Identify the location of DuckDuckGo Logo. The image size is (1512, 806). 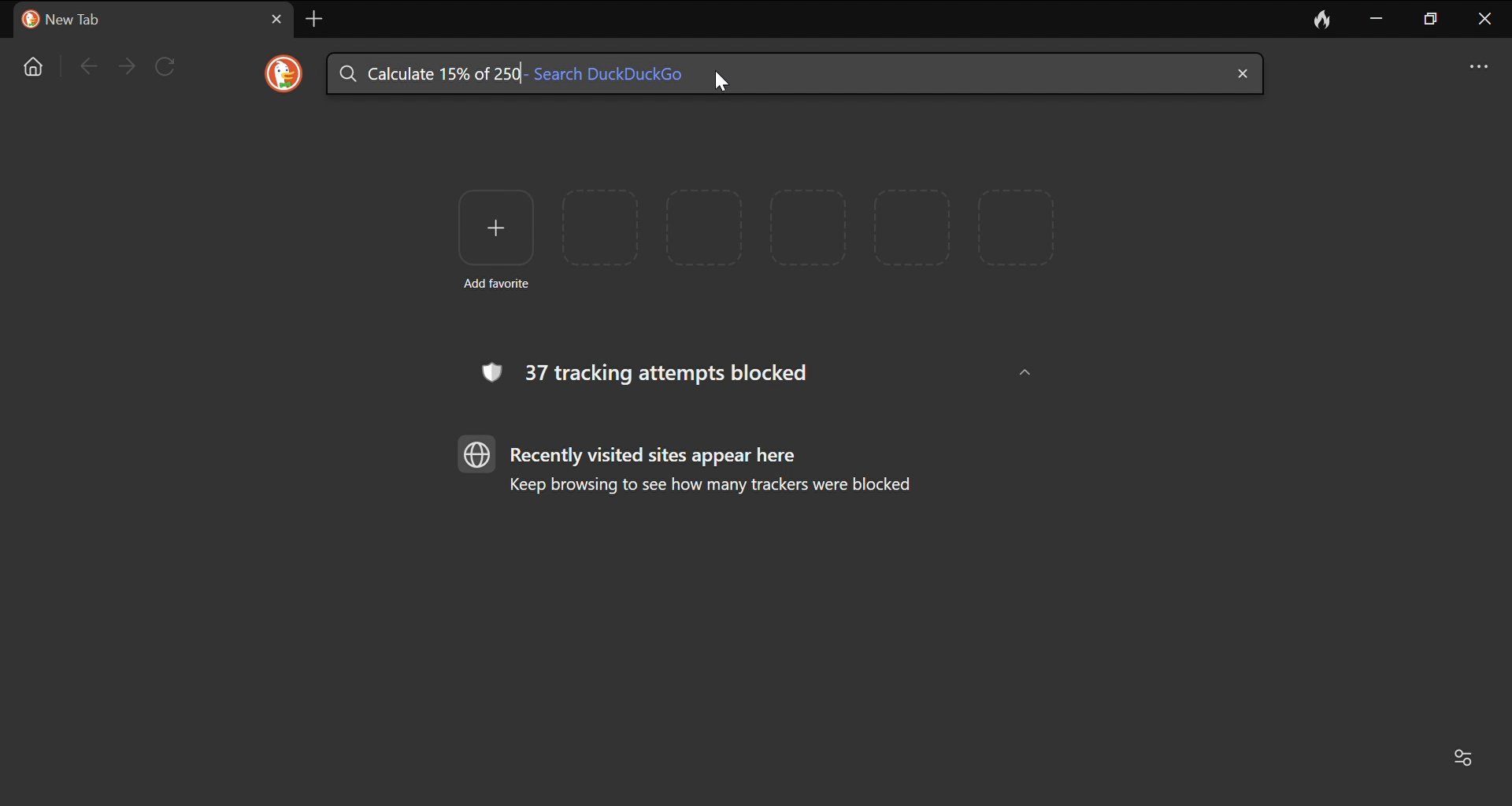
(284, 73).